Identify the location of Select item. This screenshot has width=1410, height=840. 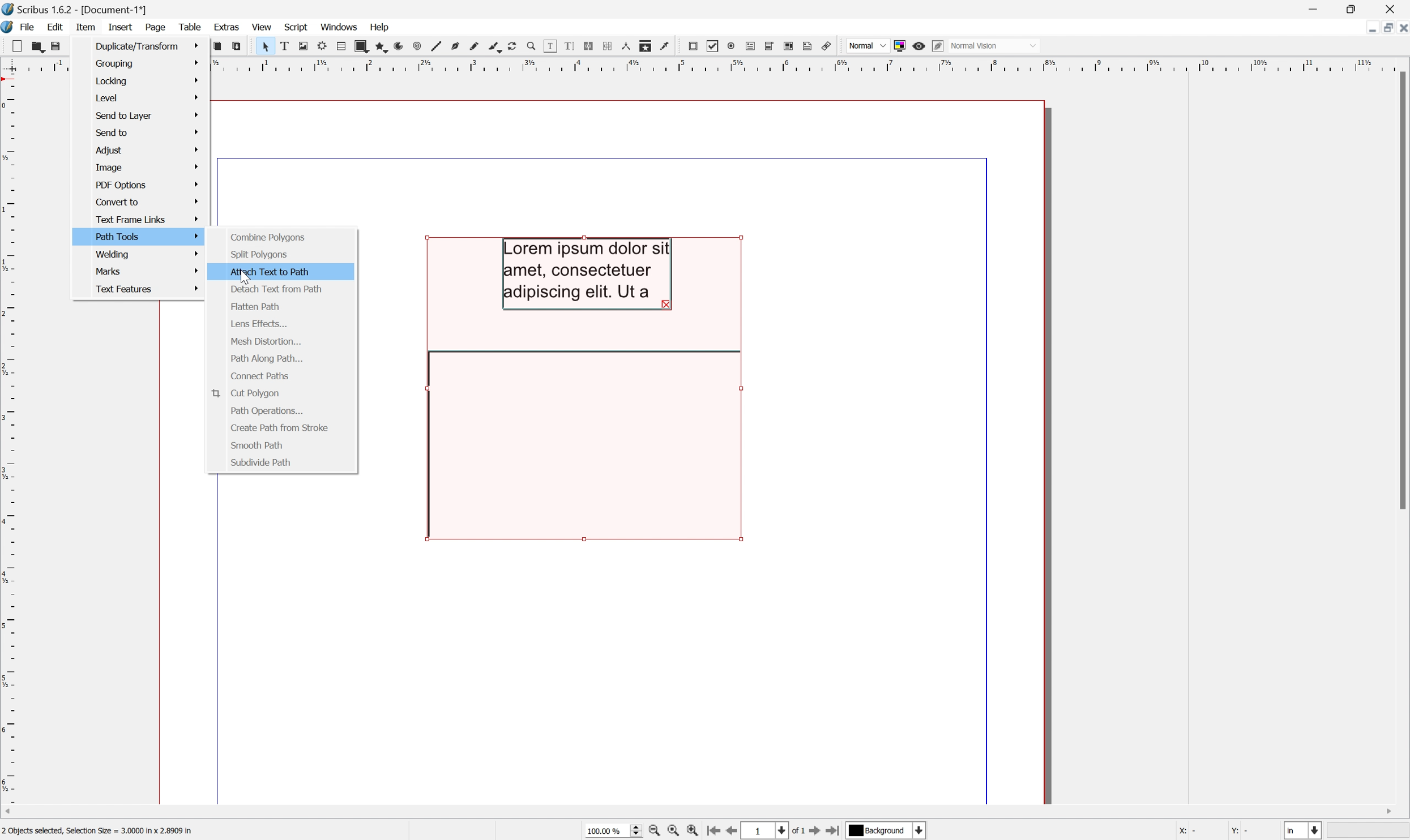
(262, 46).